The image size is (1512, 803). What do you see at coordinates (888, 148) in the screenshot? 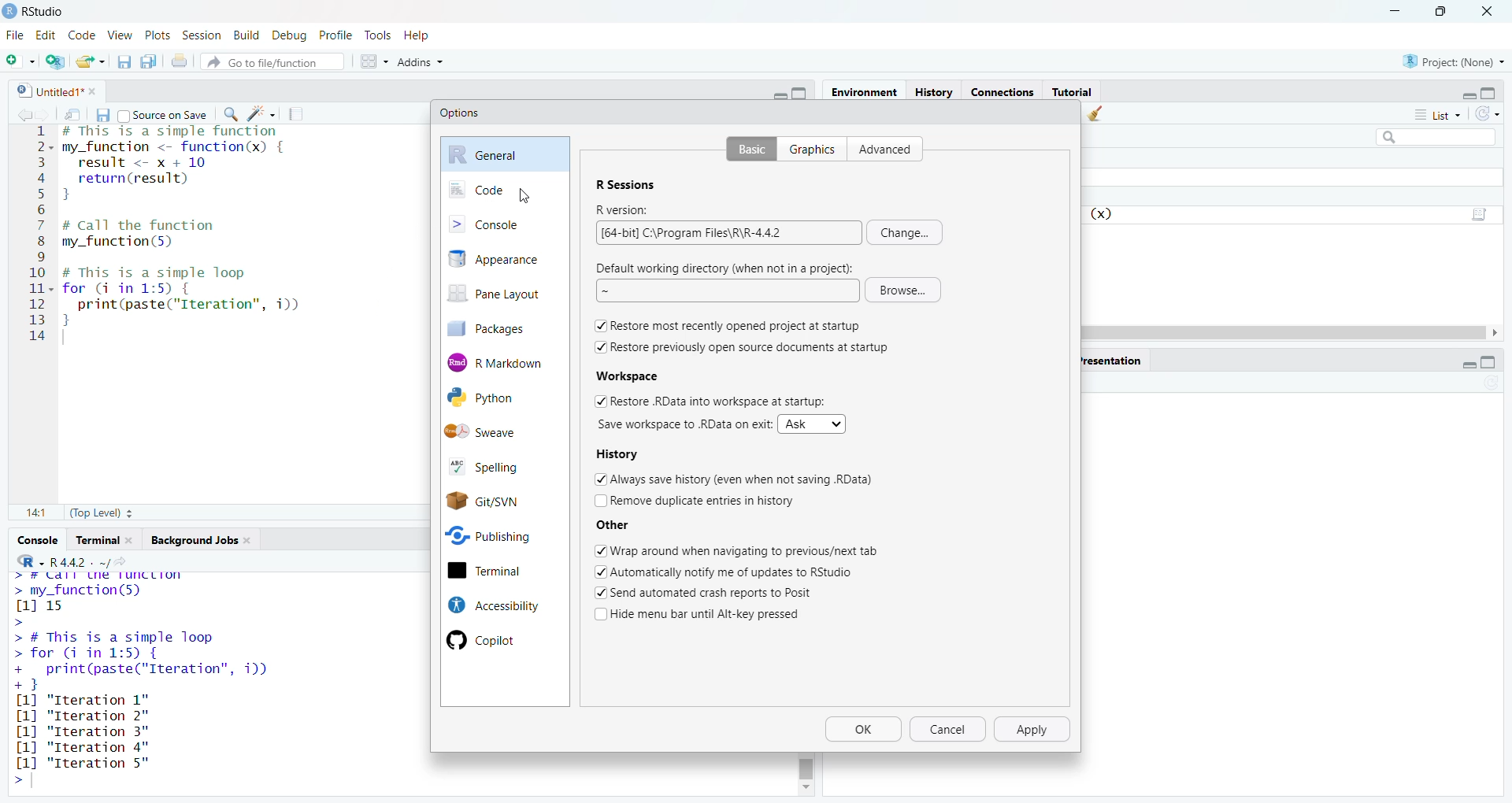
I see `advanced` at bounding box center [888, 148].